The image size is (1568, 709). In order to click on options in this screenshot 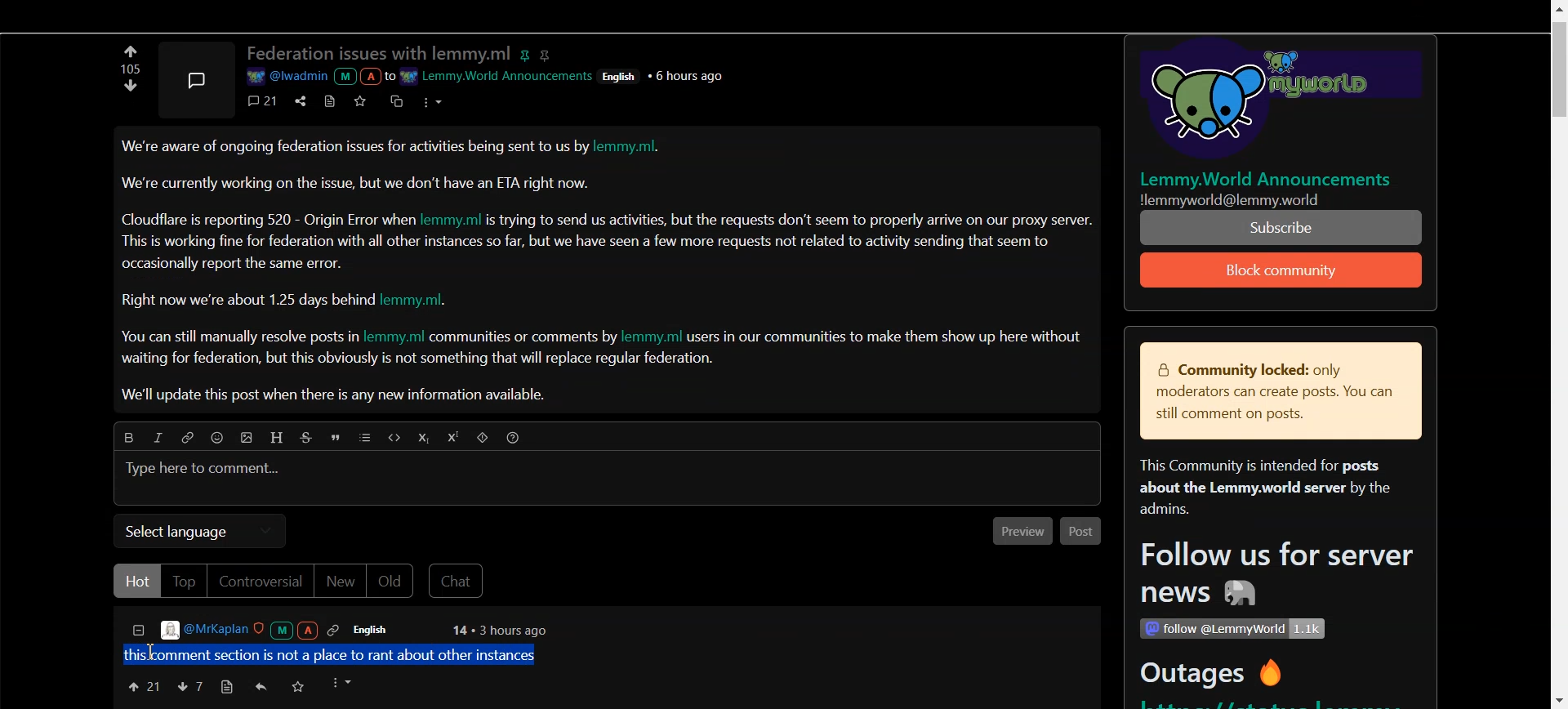, I will do `click(430, 100)`.